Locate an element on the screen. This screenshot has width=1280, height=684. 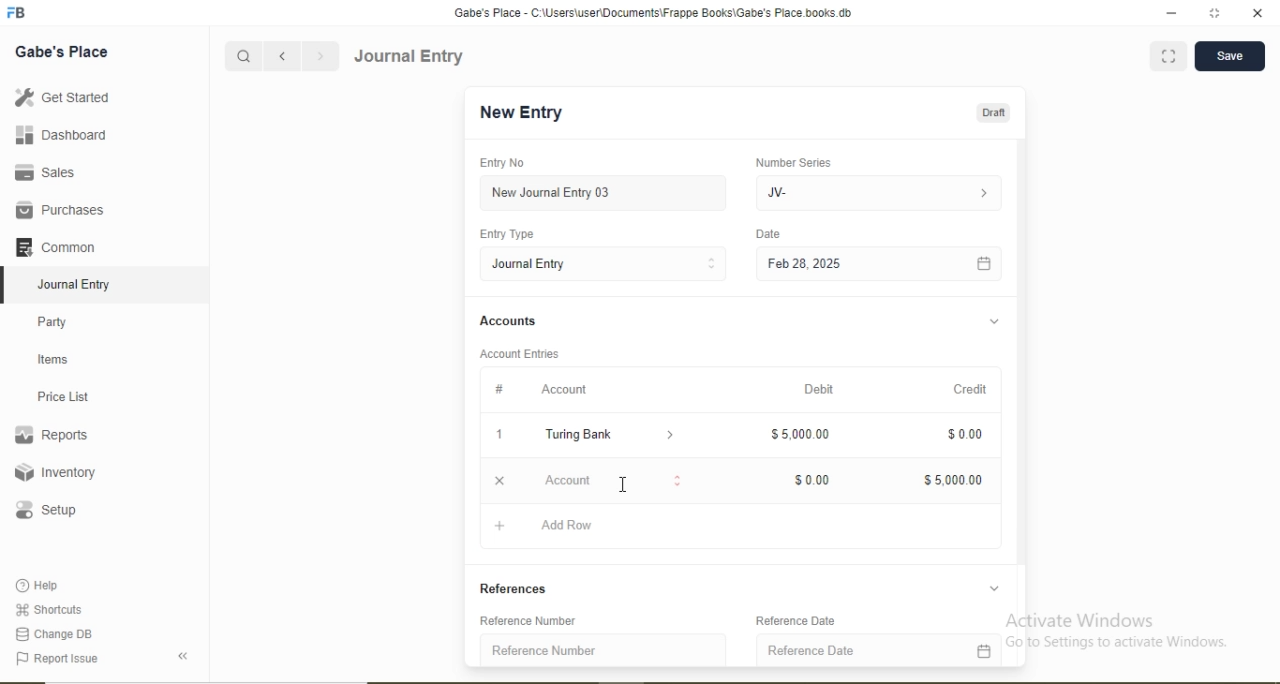
Forward is located at coordinates (321, 56).